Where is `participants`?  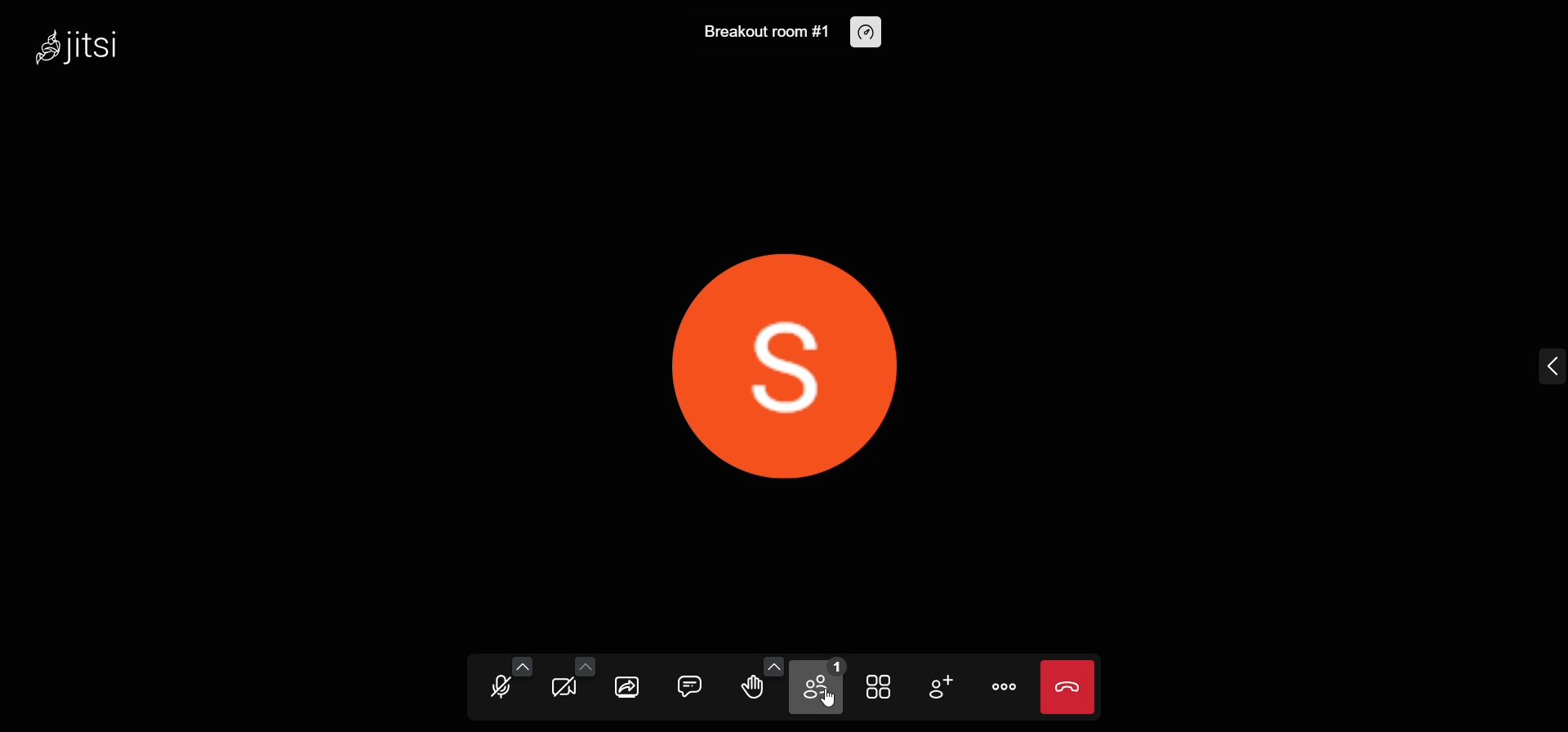
participants is located at coordinates (822, 685).